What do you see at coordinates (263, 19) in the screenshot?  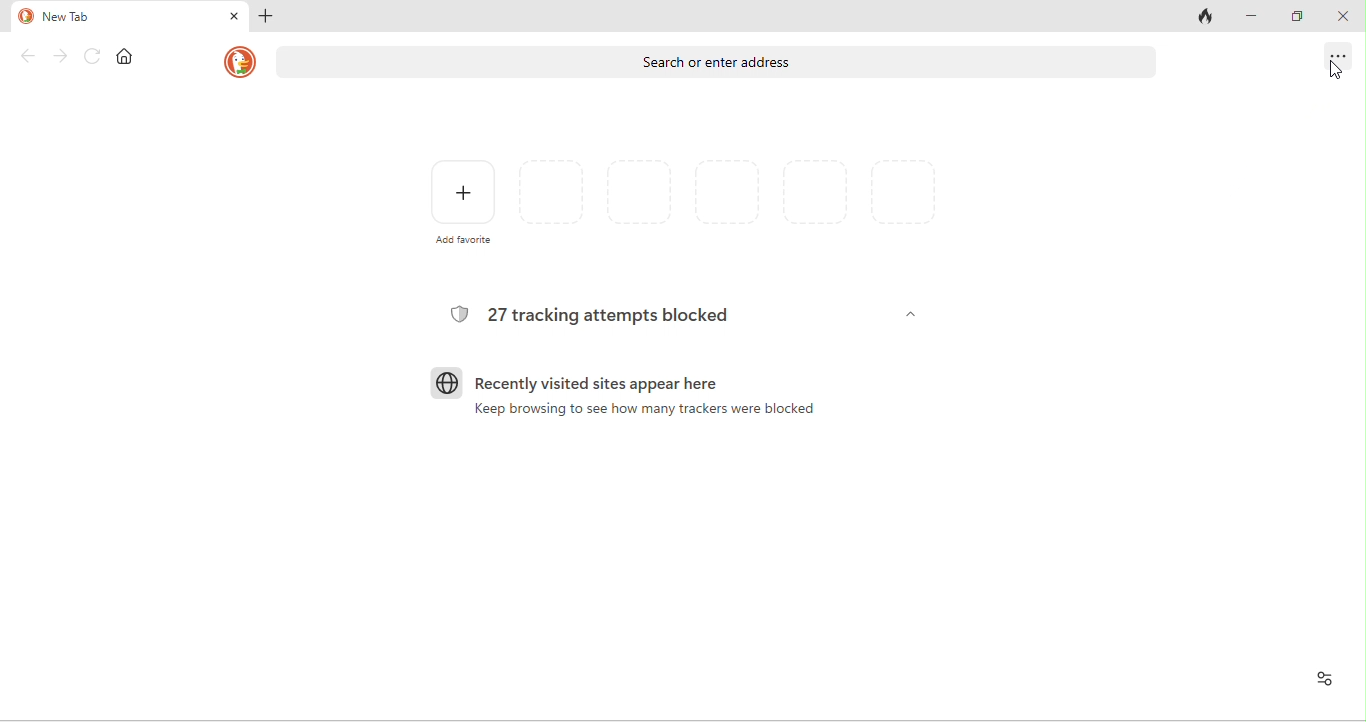 I see `add` at bounding box center [263, 19].